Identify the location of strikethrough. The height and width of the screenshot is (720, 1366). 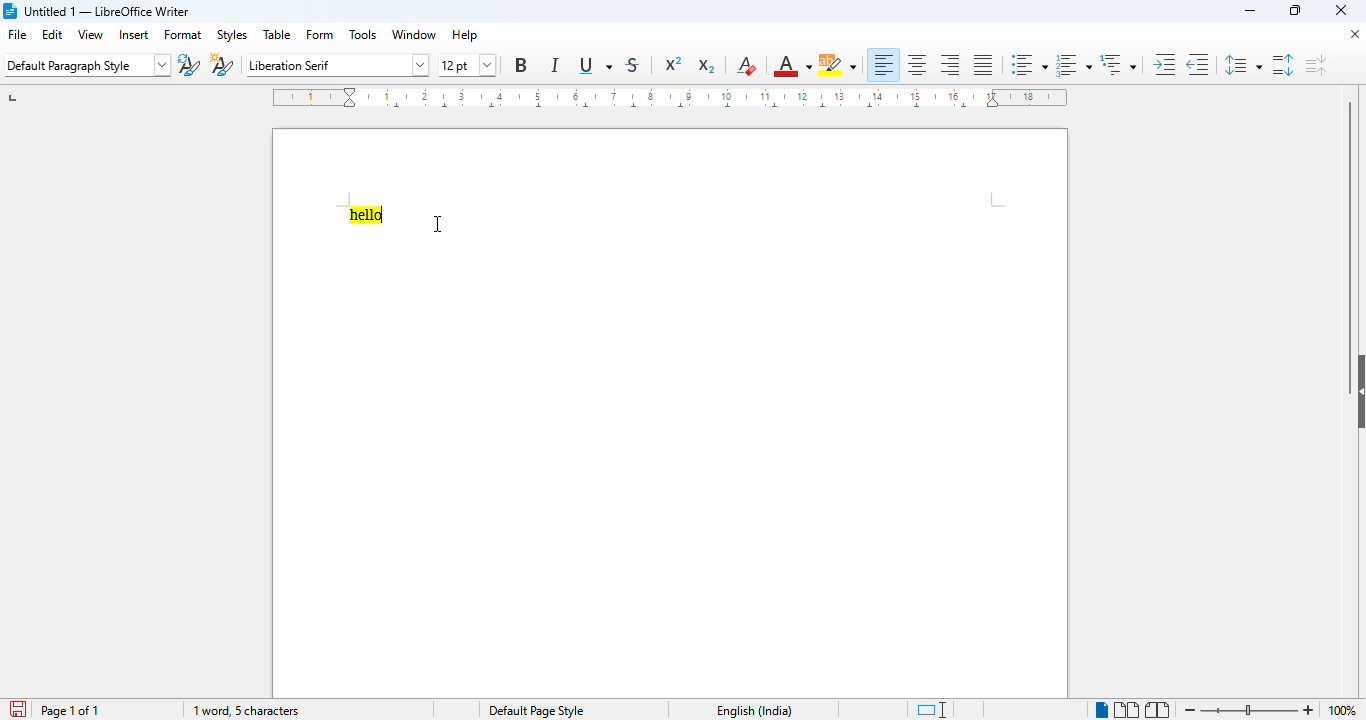
(633, 65).